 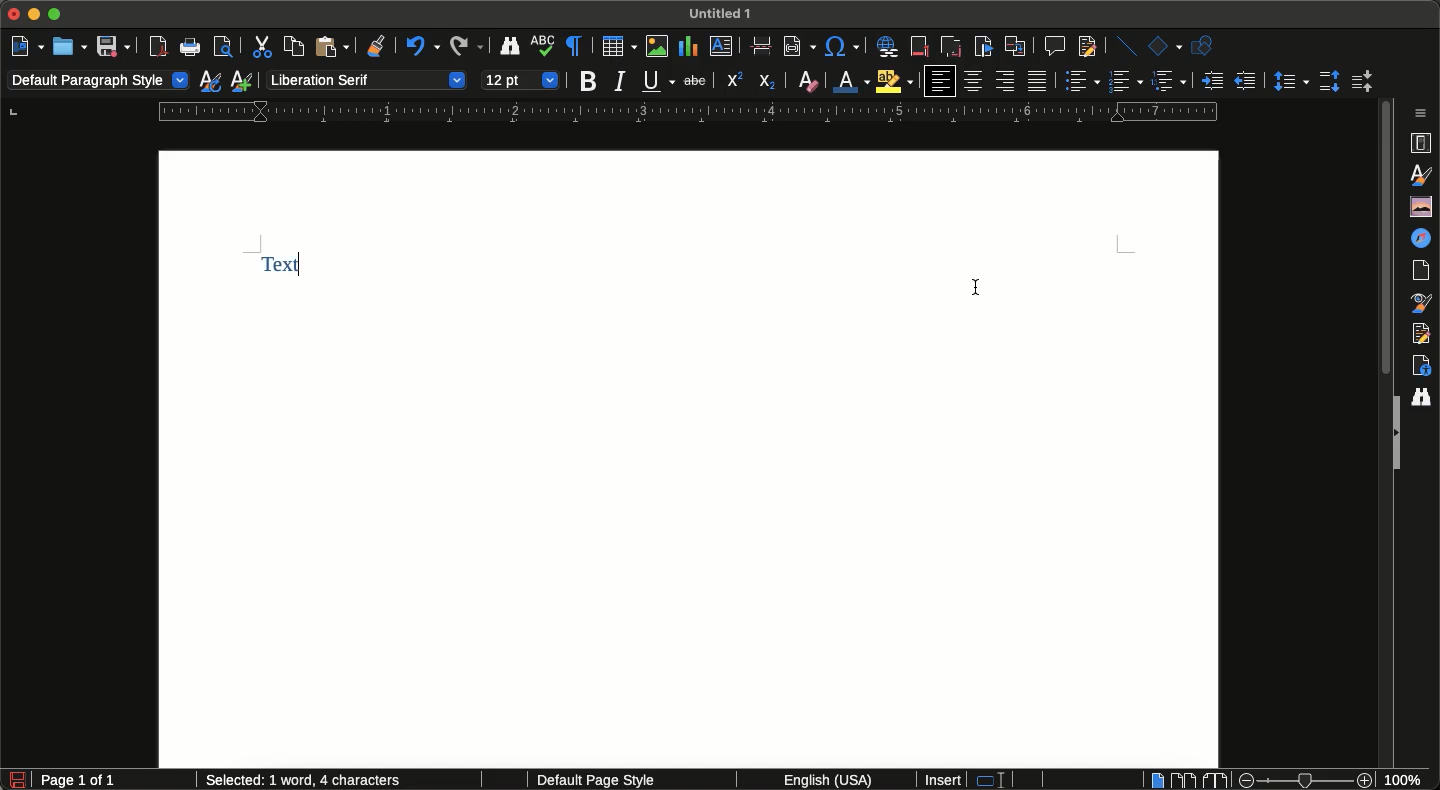 I want to click on Style inspector, so click(x=1423, y=302).